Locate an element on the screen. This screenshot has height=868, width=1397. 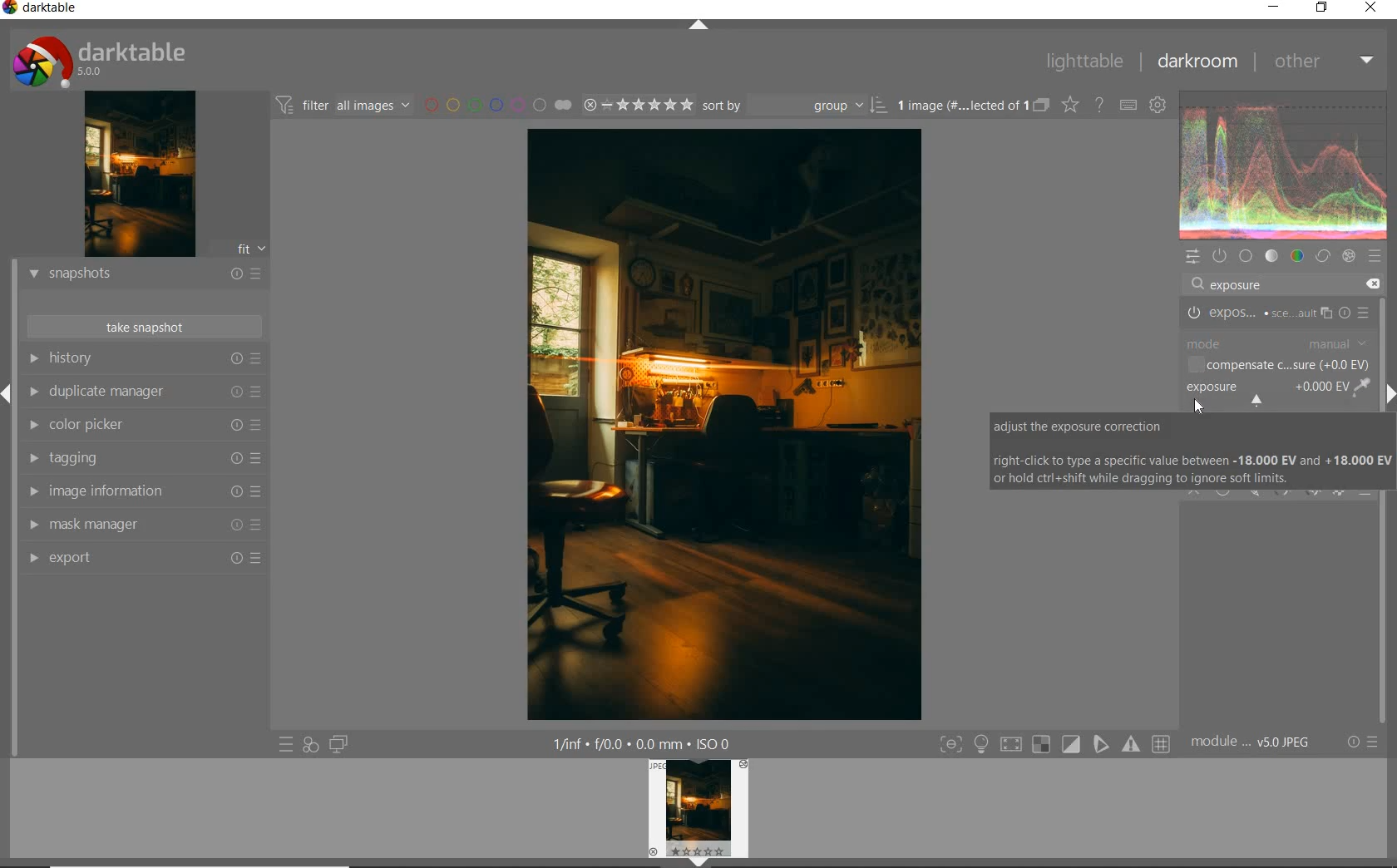
quick access to presets is located at coordinates (283, 744).